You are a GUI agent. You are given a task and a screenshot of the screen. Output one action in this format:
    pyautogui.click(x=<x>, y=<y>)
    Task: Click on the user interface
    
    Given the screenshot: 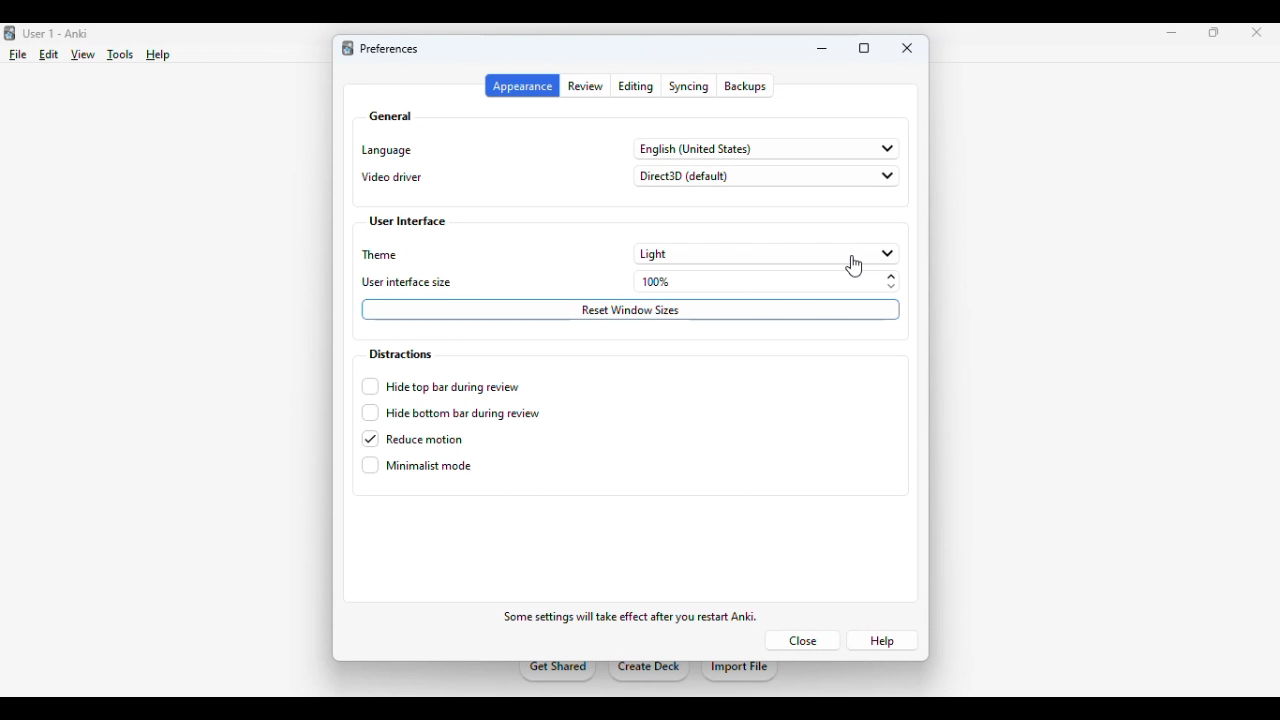 What is the action you would take?
    pyautogui.click(x=408, y=222)
    